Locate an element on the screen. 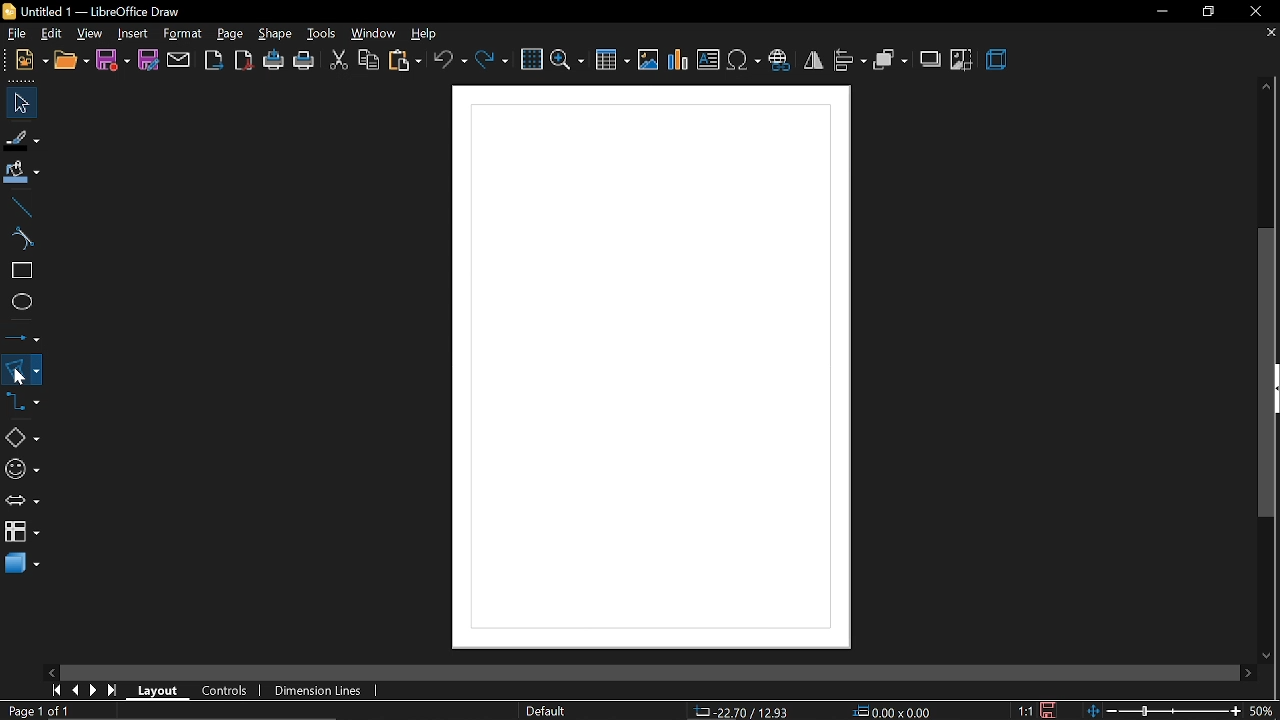 This screenshot has width=1280, height=720. tools is located at coordinates (321, 34).